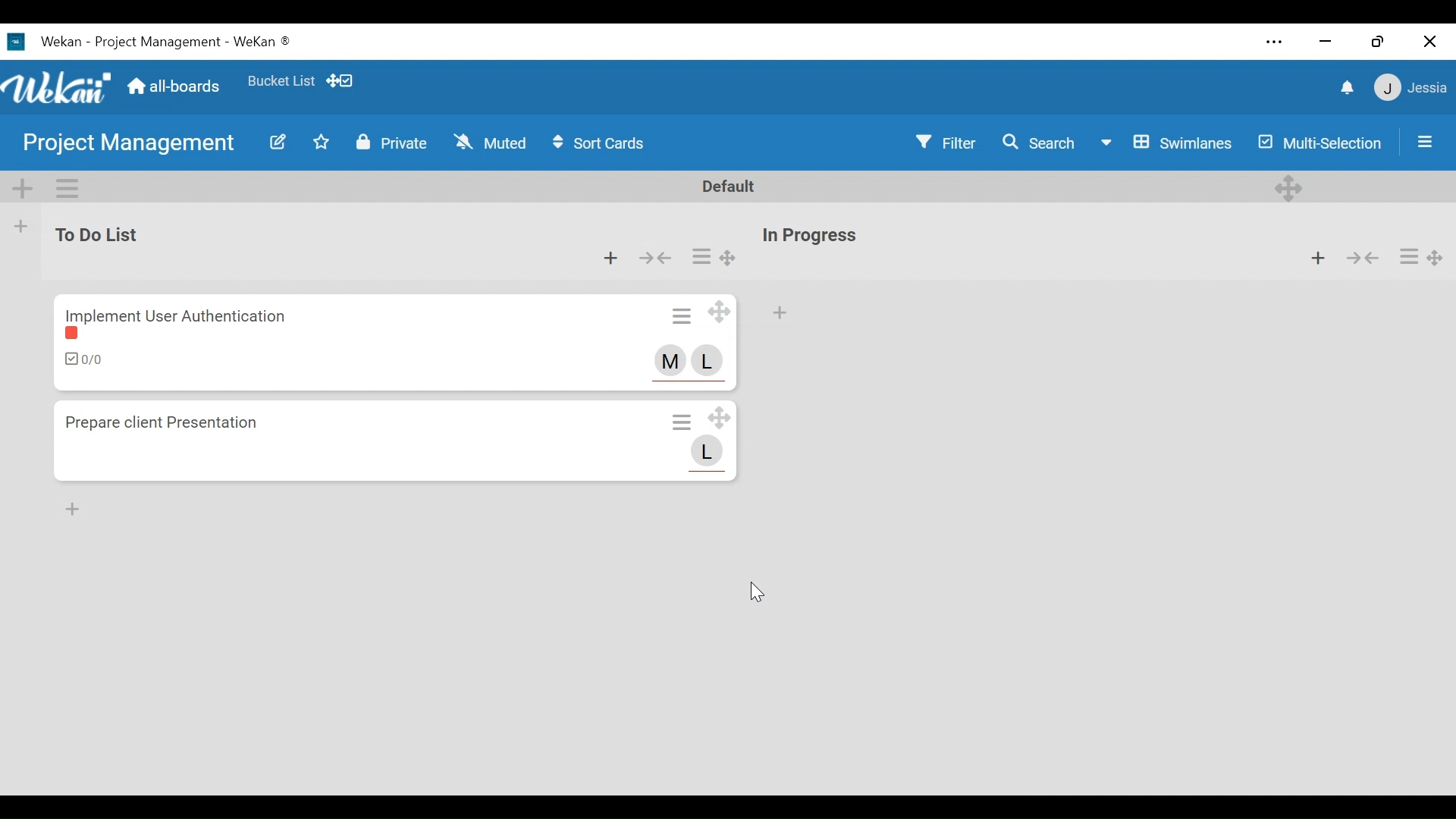 This screenshot has height=819, width=1456. I want to click on Muted, so click(488, 142).